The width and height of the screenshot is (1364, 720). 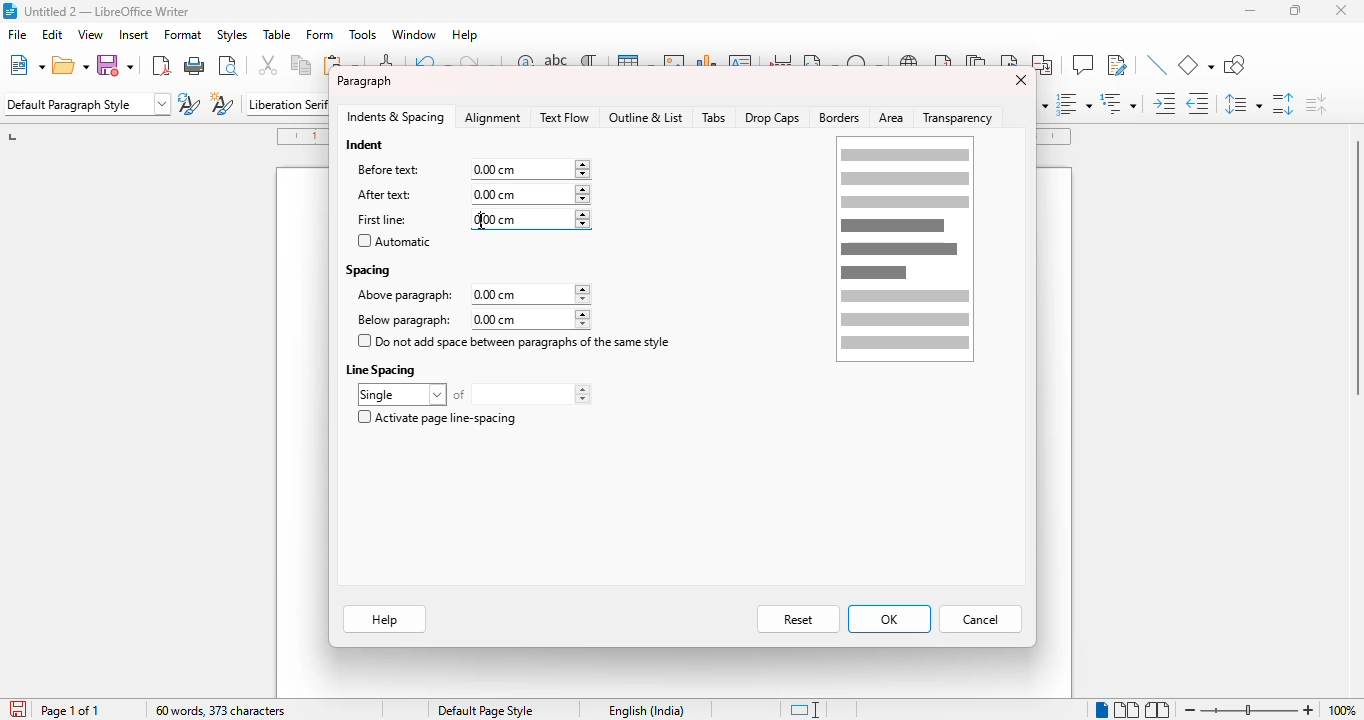 I want to click on insert line, so click(x=1157, y=65).